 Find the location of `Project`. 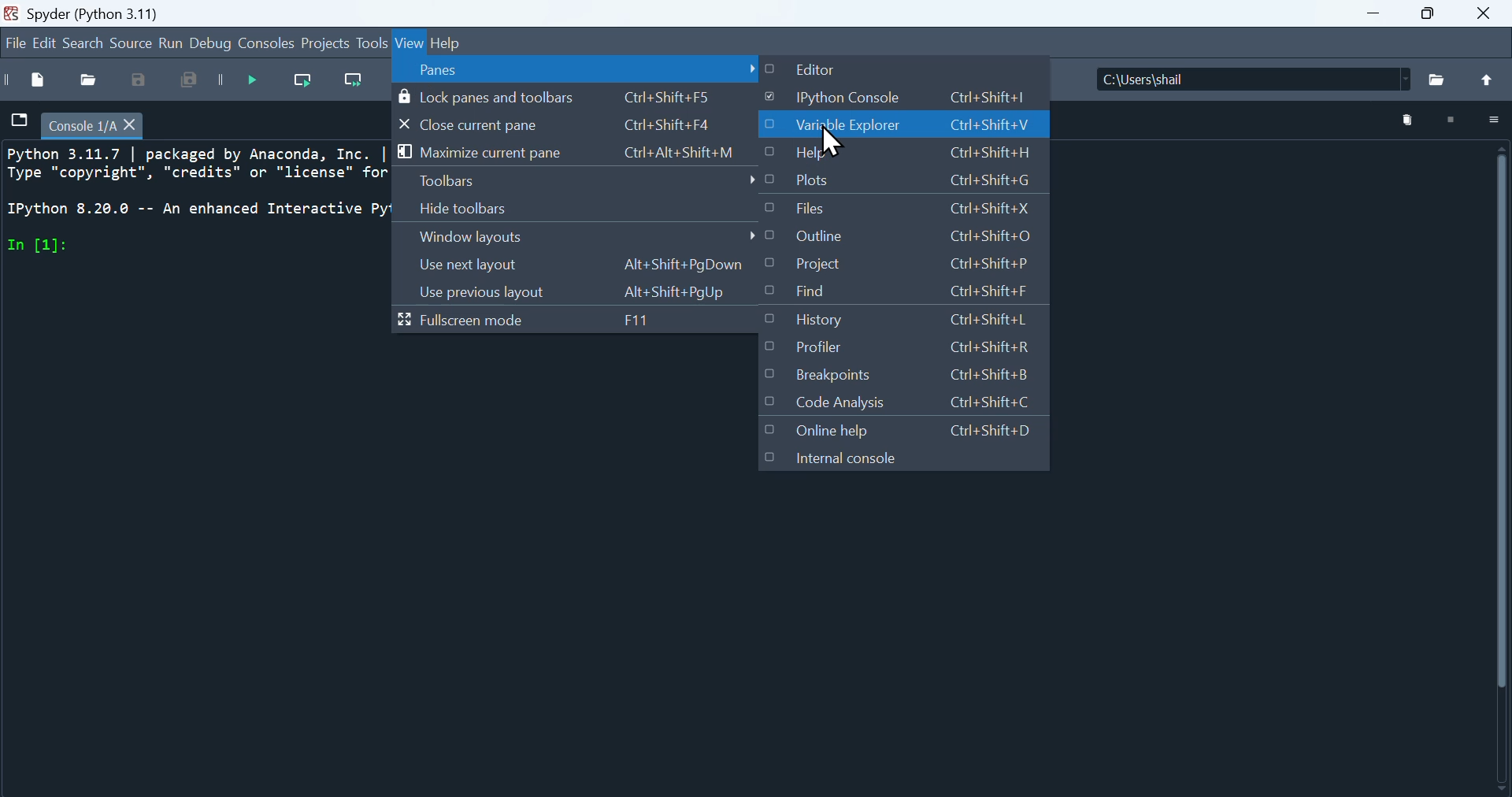

Project is located at coordinates (904, 261).